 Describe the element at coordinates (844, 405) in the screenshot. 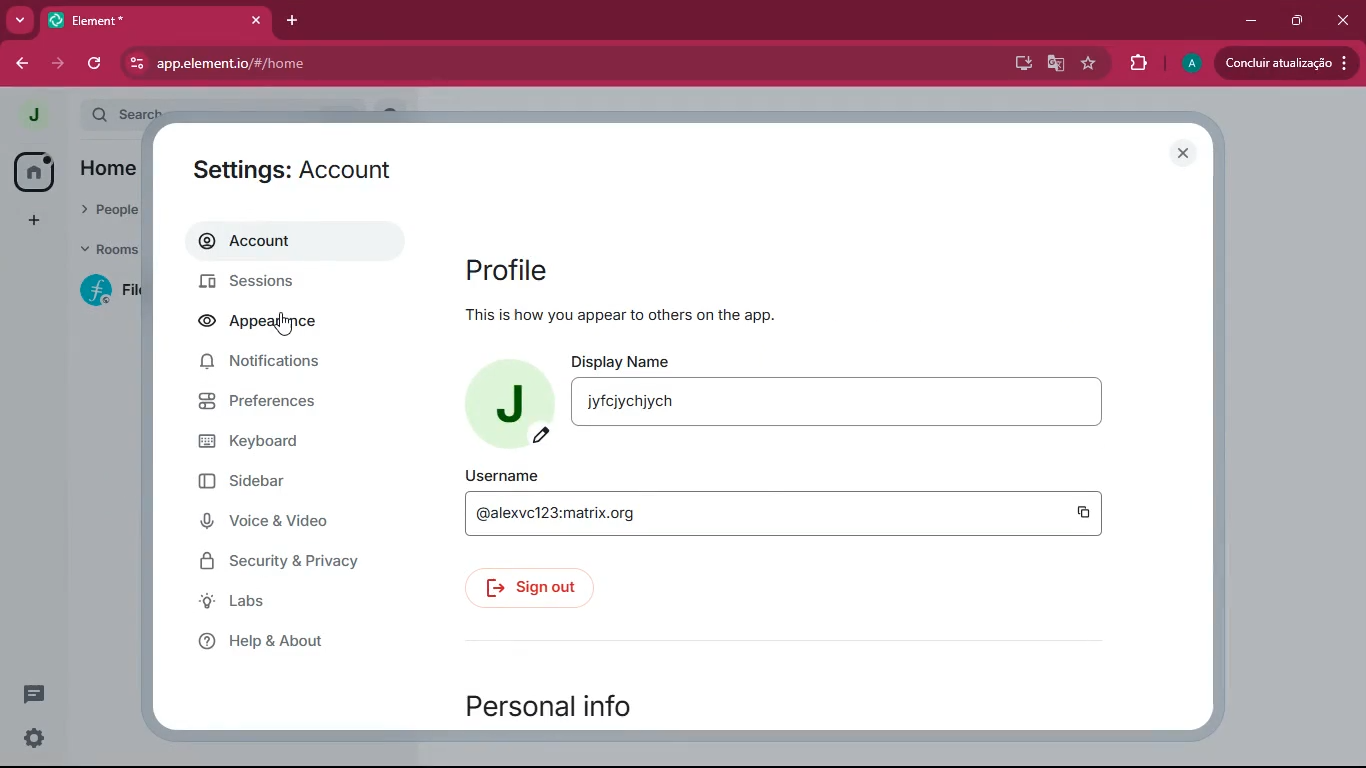

I see `display name` at that location.